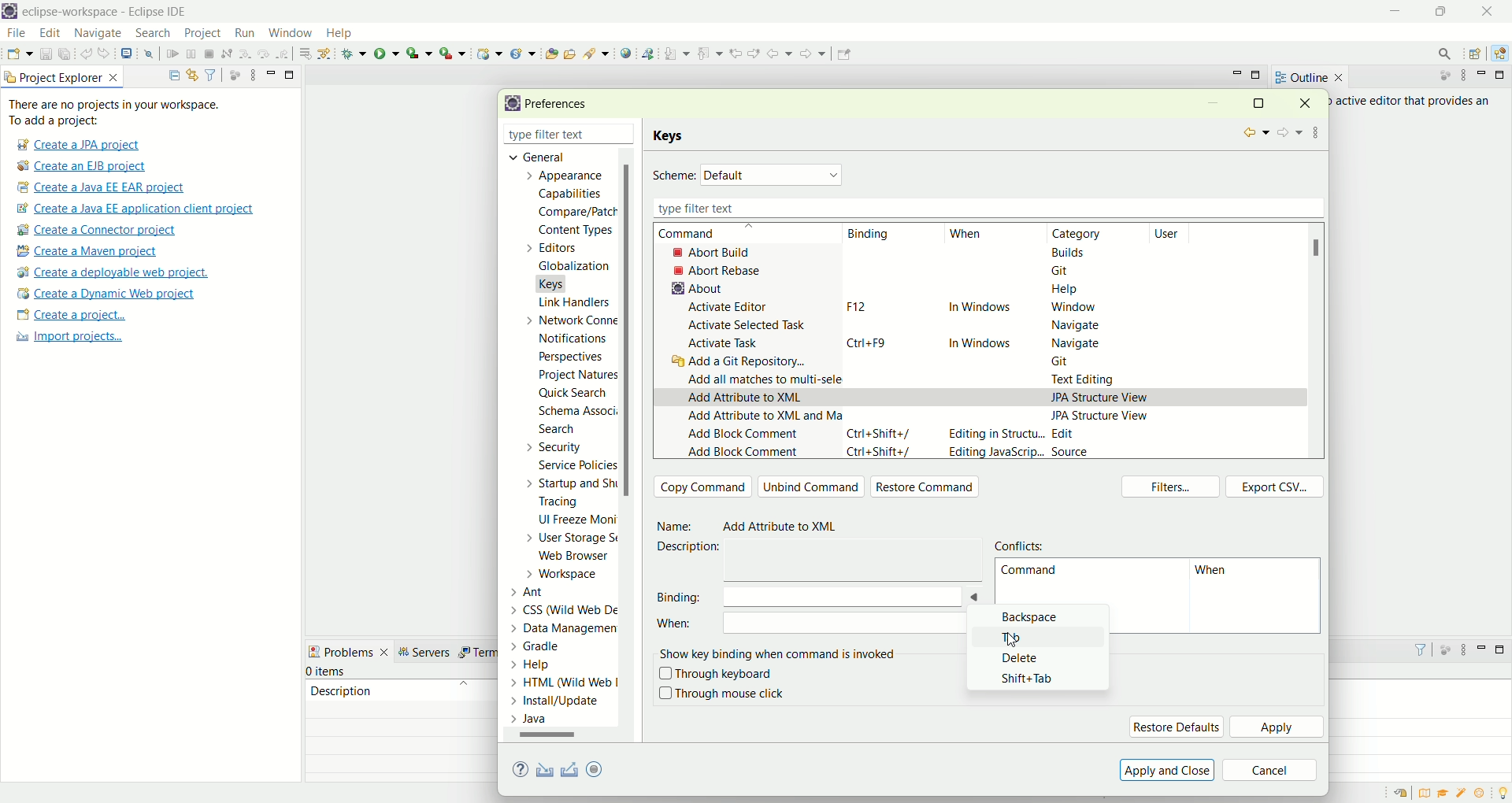  I want to click on maximize, so click(1503, 75).